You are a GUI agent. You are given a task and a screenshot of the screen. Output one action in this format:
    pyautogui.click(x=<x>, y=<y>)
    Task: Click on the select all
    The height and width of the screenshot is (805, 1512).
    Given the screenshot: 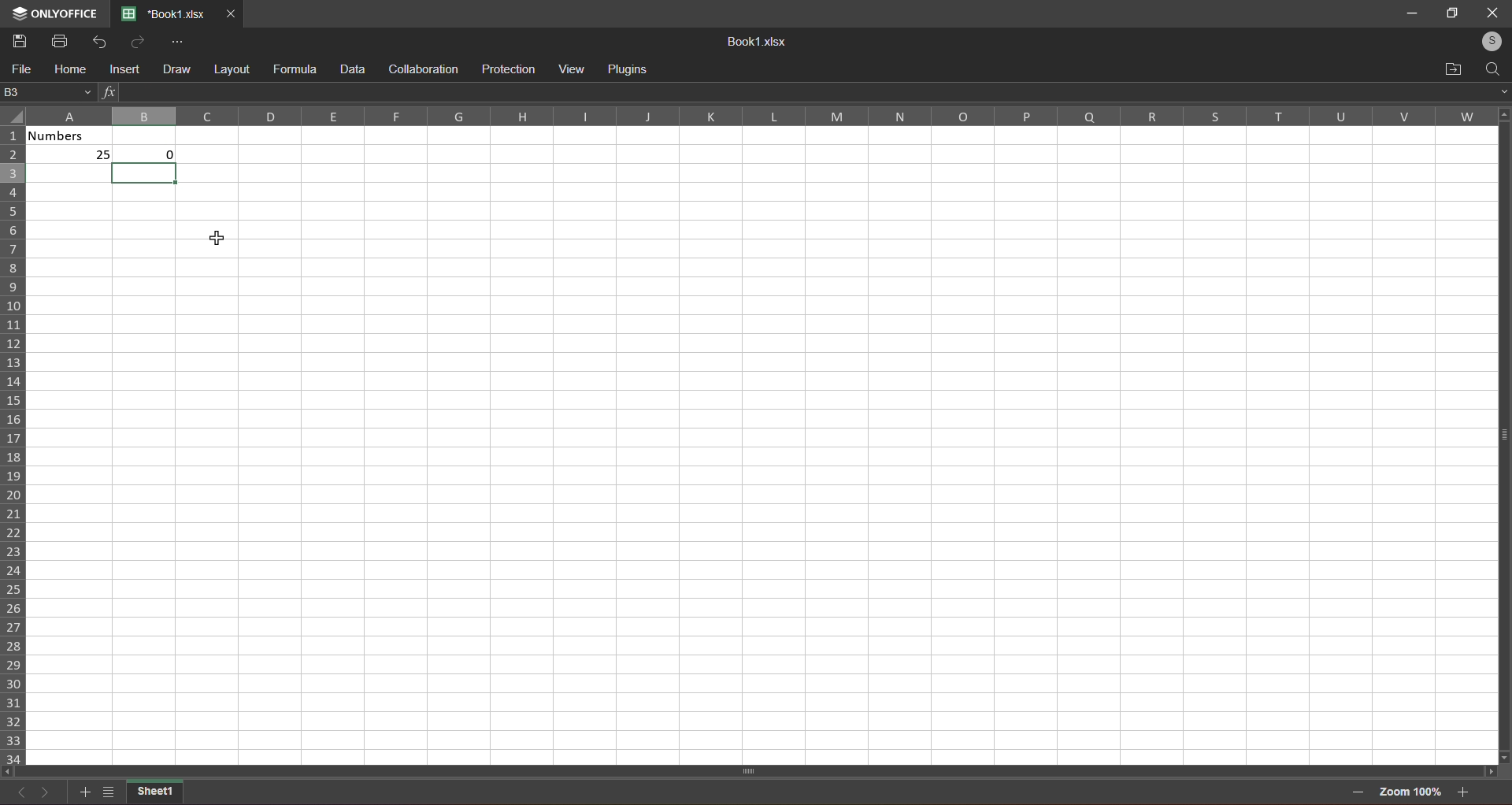 What is the action you would take?
    pyautogui.click(x=14, y=121)
    